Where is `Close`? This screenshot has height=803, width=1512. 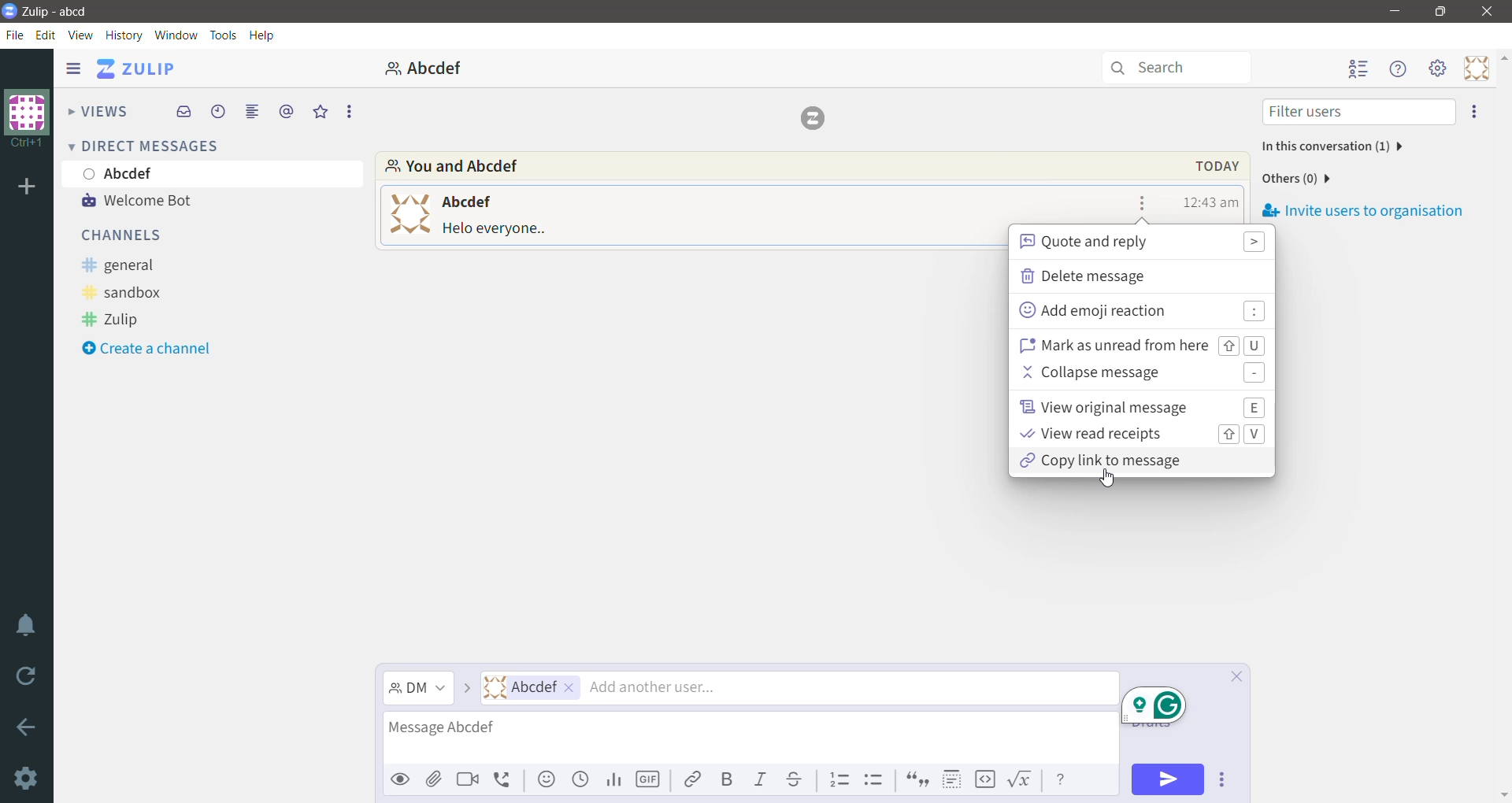
Close is located at coordinates (1488, 12).